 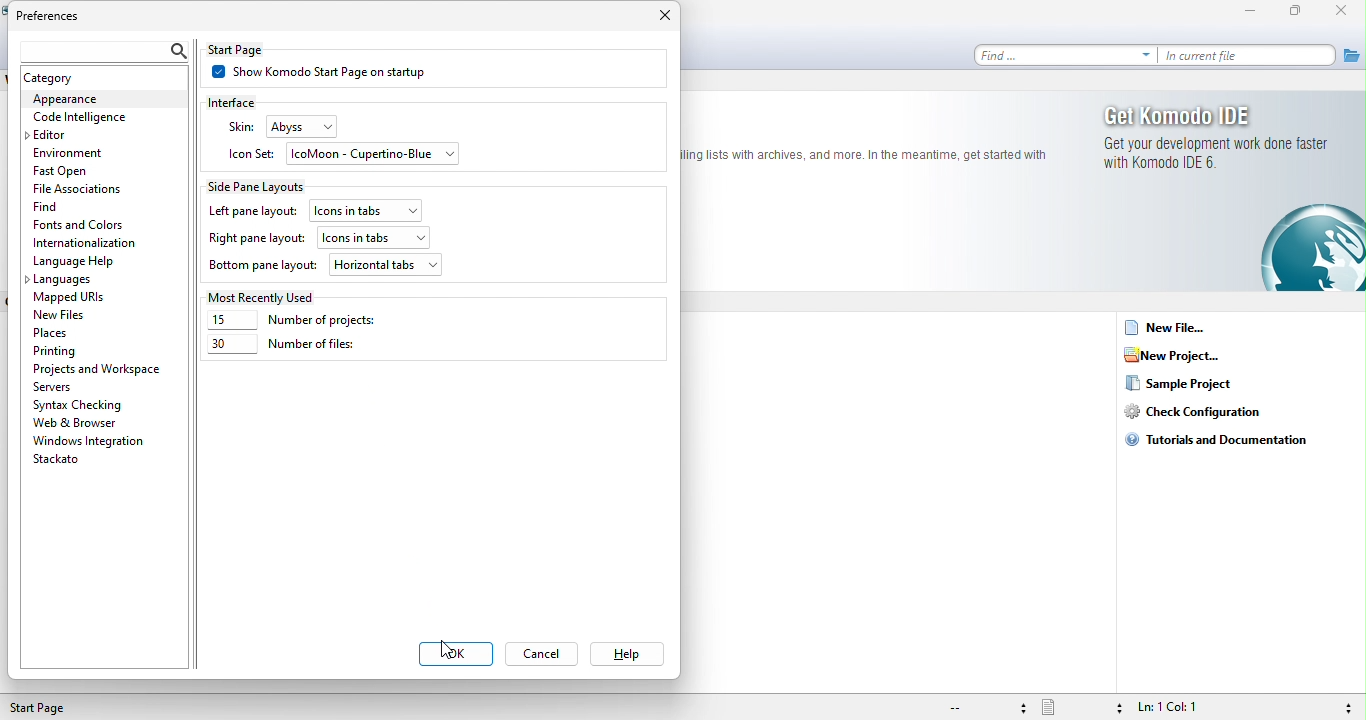 I want to click on left pane layout, so click(x=252, y=212).